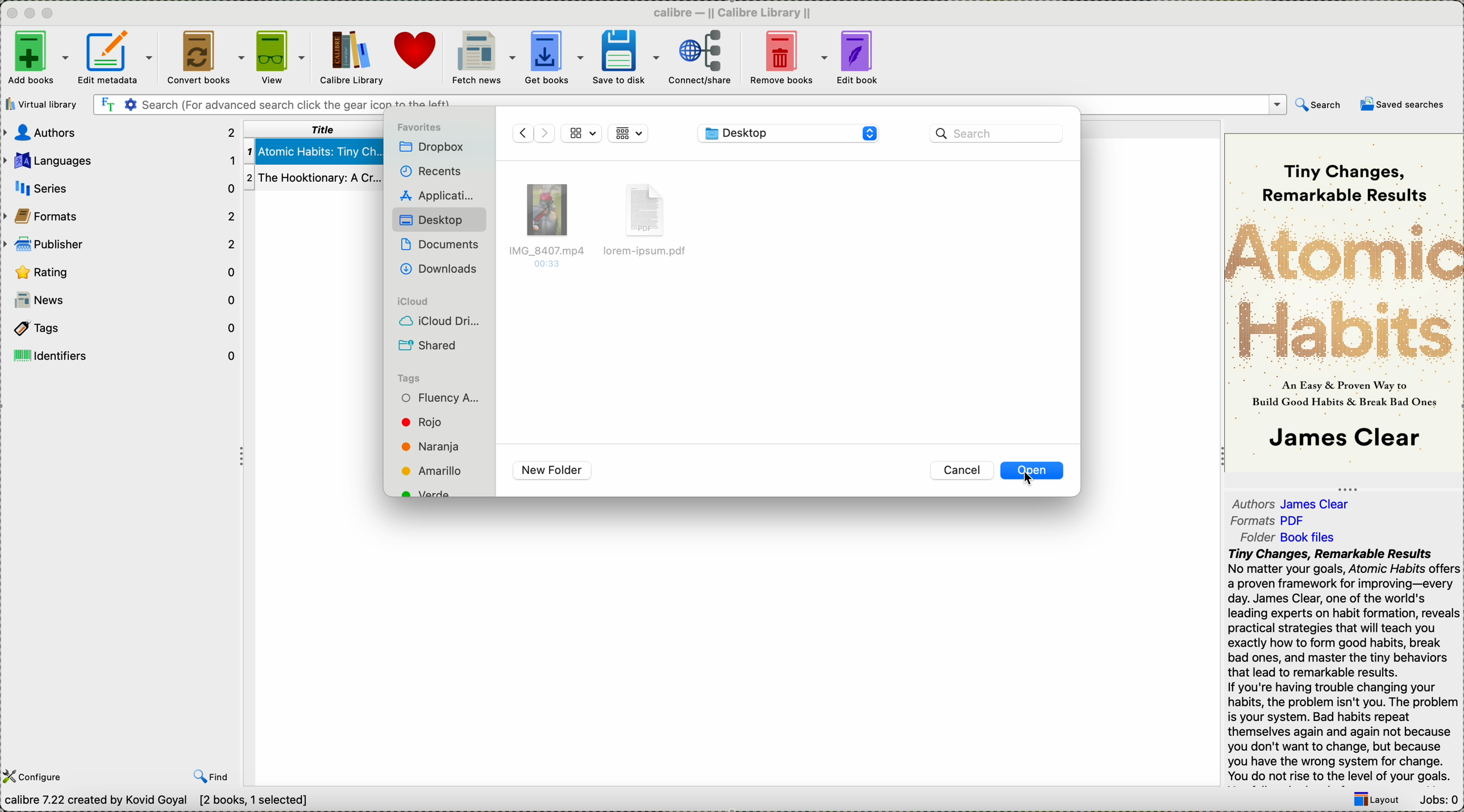 Image resolution: width=1464 pixels, height=812 pixels. Describe the element at coordinates (1032, 472) in the screenshot. I see `click on open` at that location.